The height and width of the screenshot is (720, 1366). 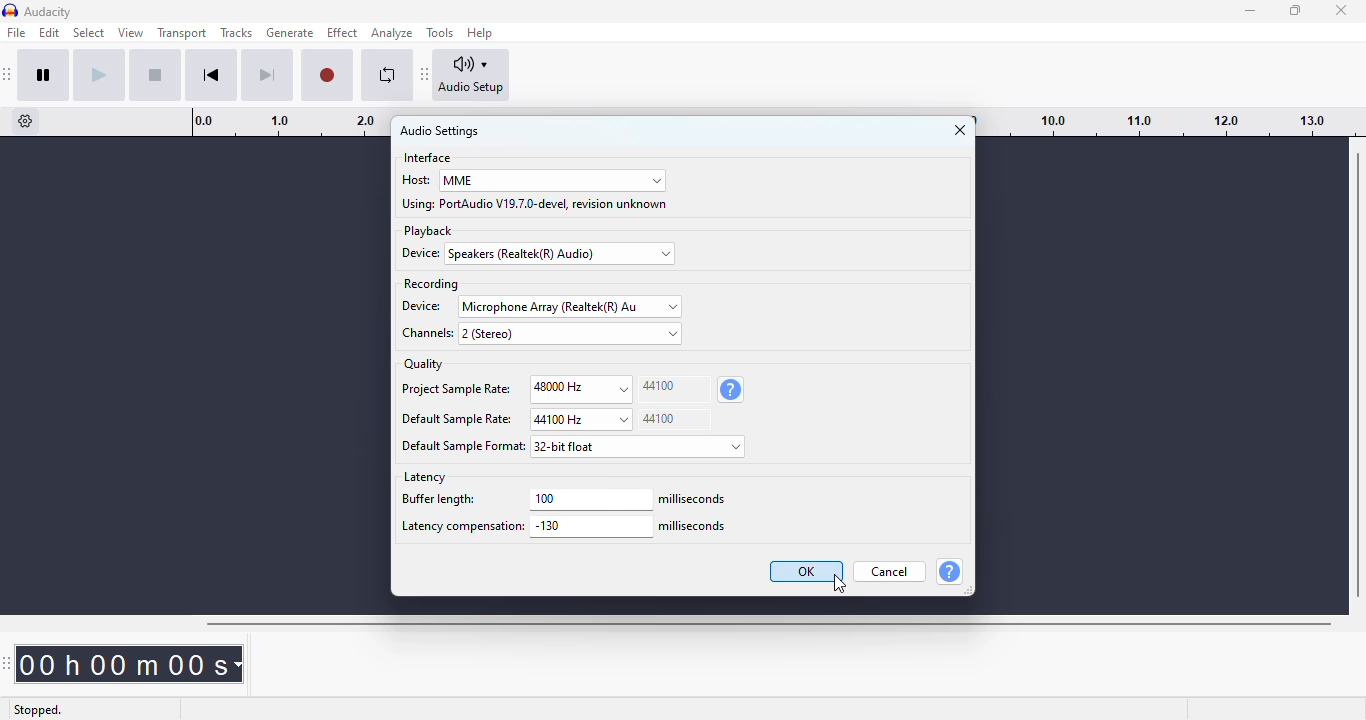 I want to click on default sample rate, so click(x=457, y=420).